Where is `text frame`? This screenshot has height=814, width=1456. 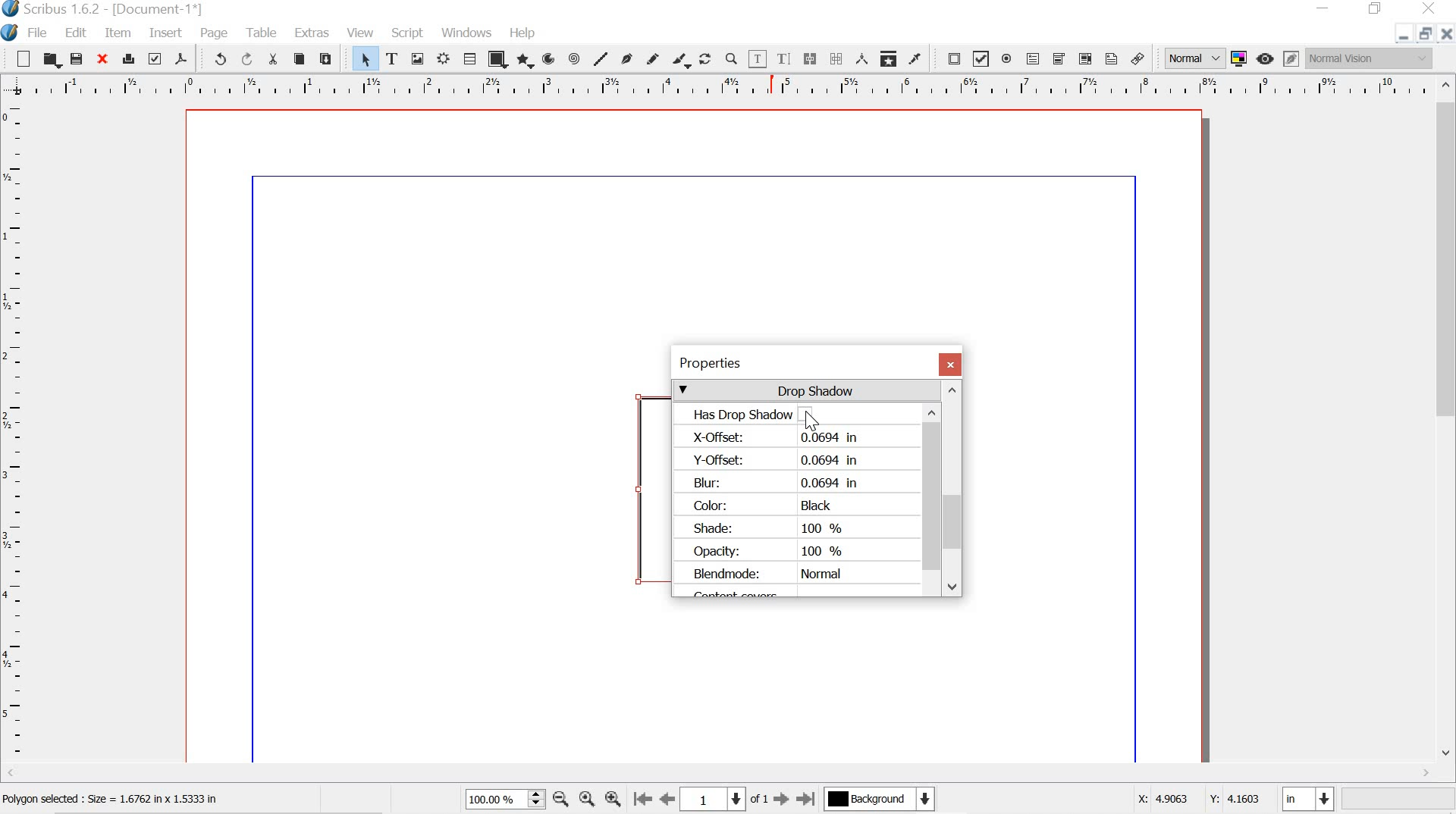
text frame is located at coordinates (392, 58).